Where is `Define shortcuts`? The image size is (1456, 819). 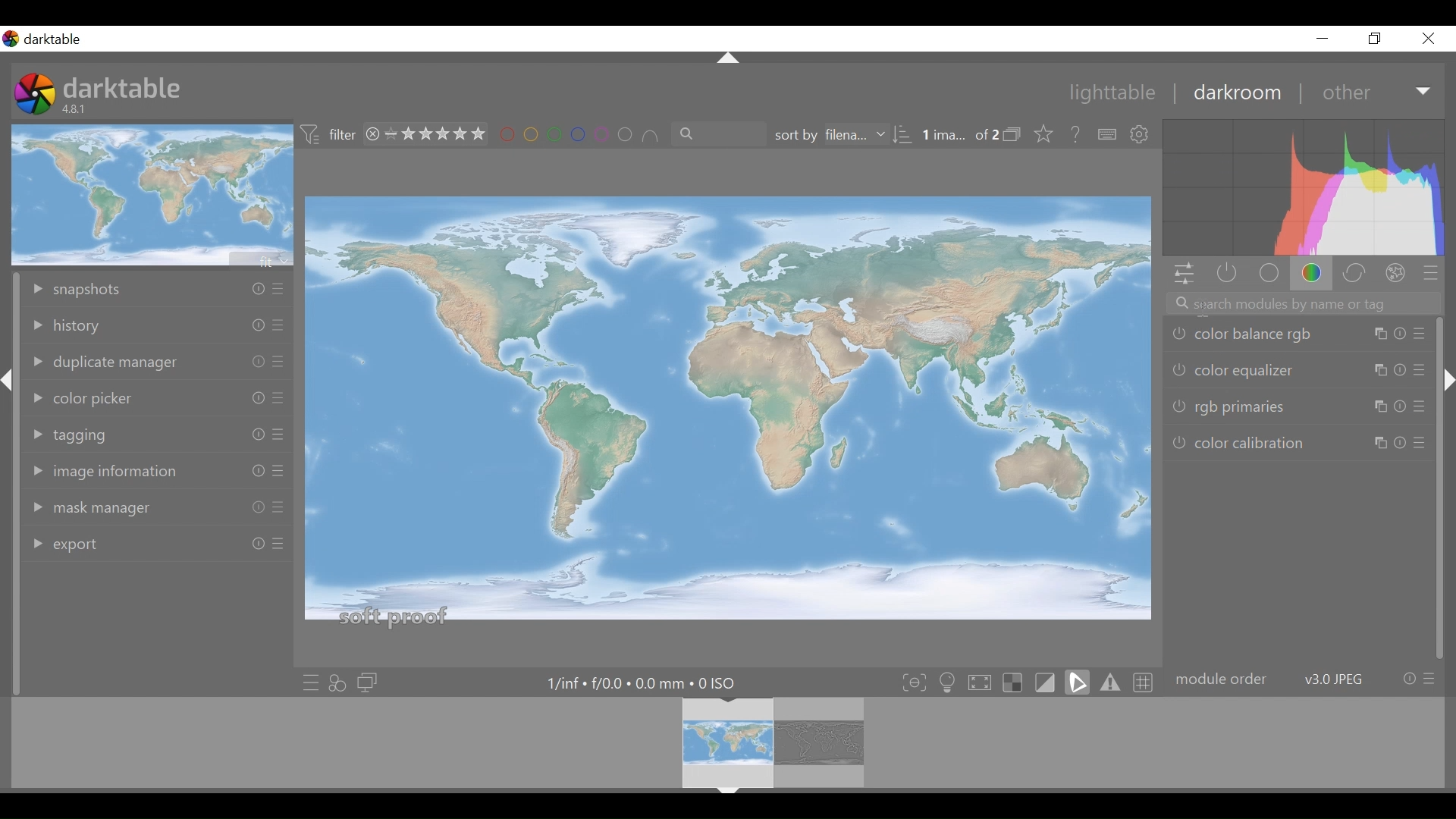 Define shortcuts is located at coordinates (1107, 135).